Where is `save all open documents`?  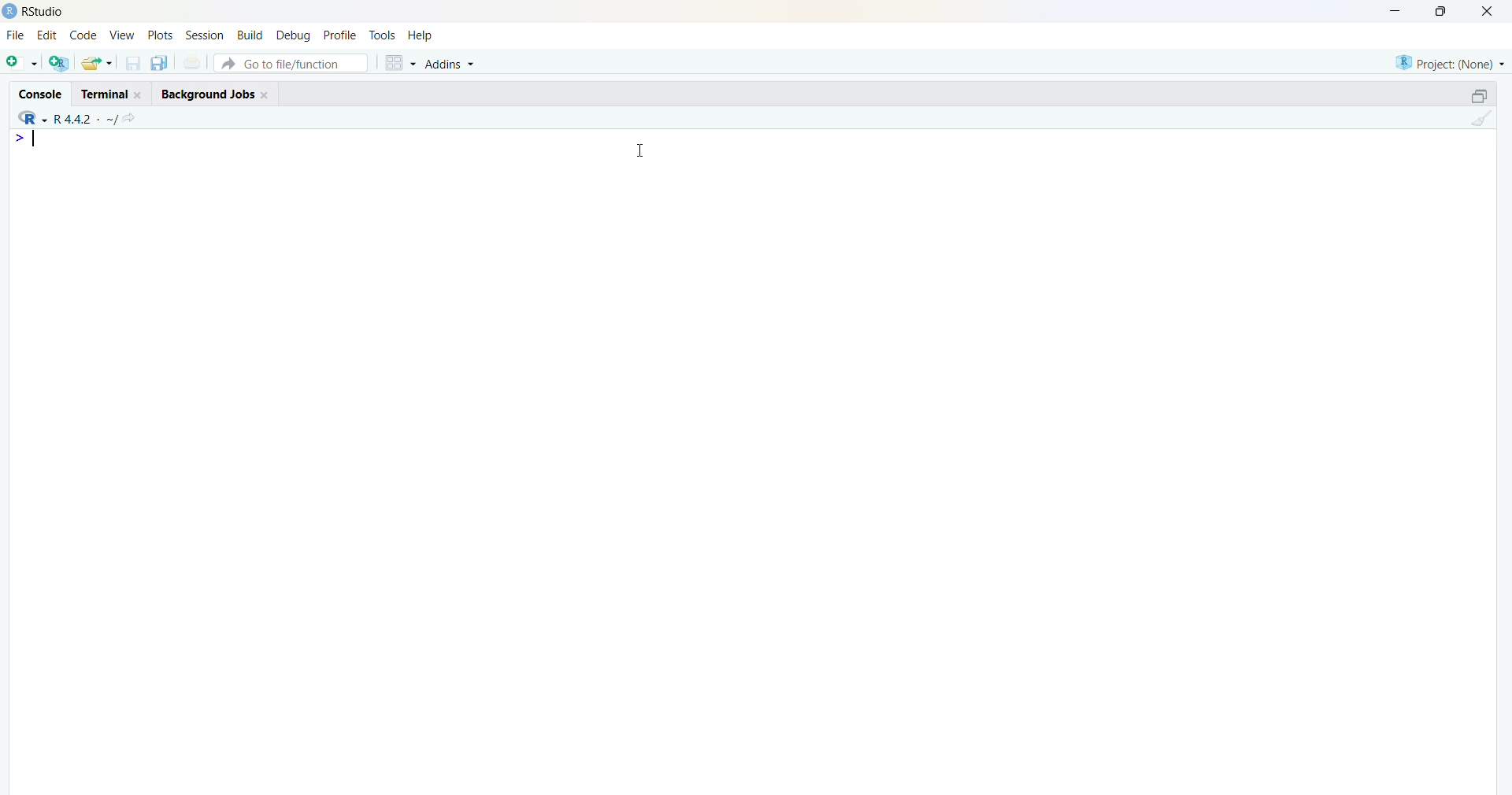 save all open documents is located at coordinates (158, 63).